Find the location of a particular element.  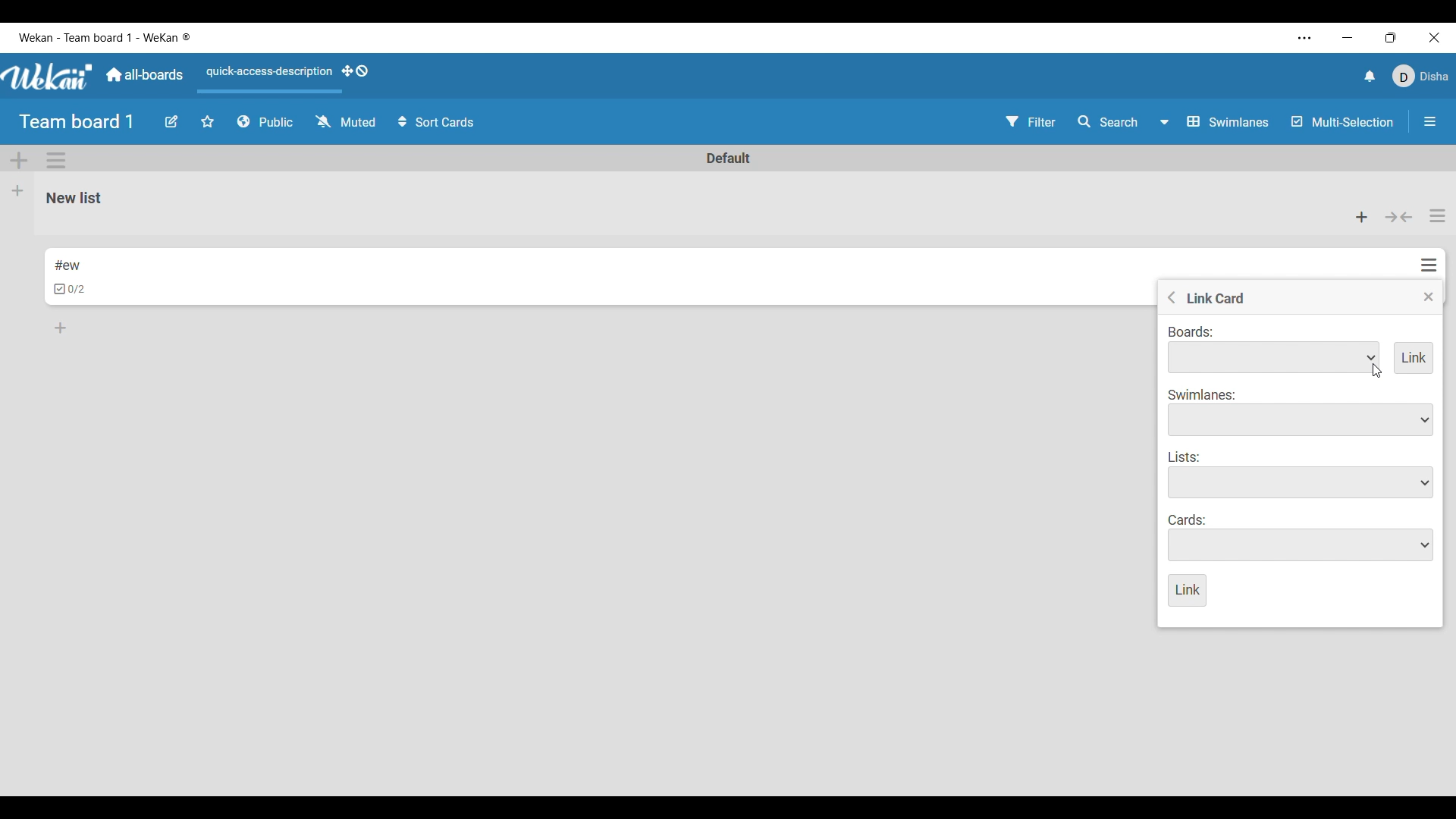

Indicates card options is located at coordinates (1188, 520).